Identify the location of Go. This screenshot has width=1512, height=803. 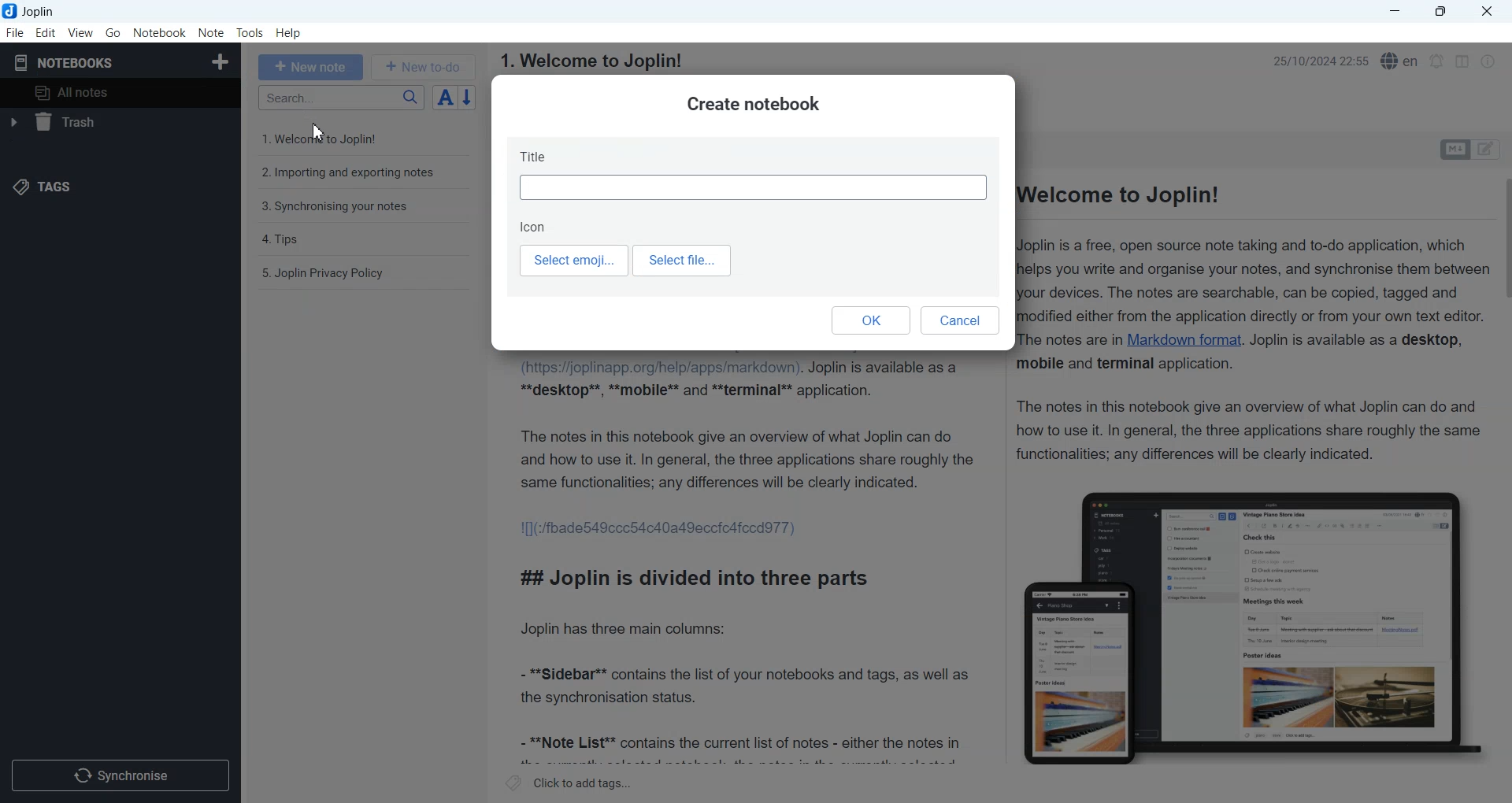
(114, 32).